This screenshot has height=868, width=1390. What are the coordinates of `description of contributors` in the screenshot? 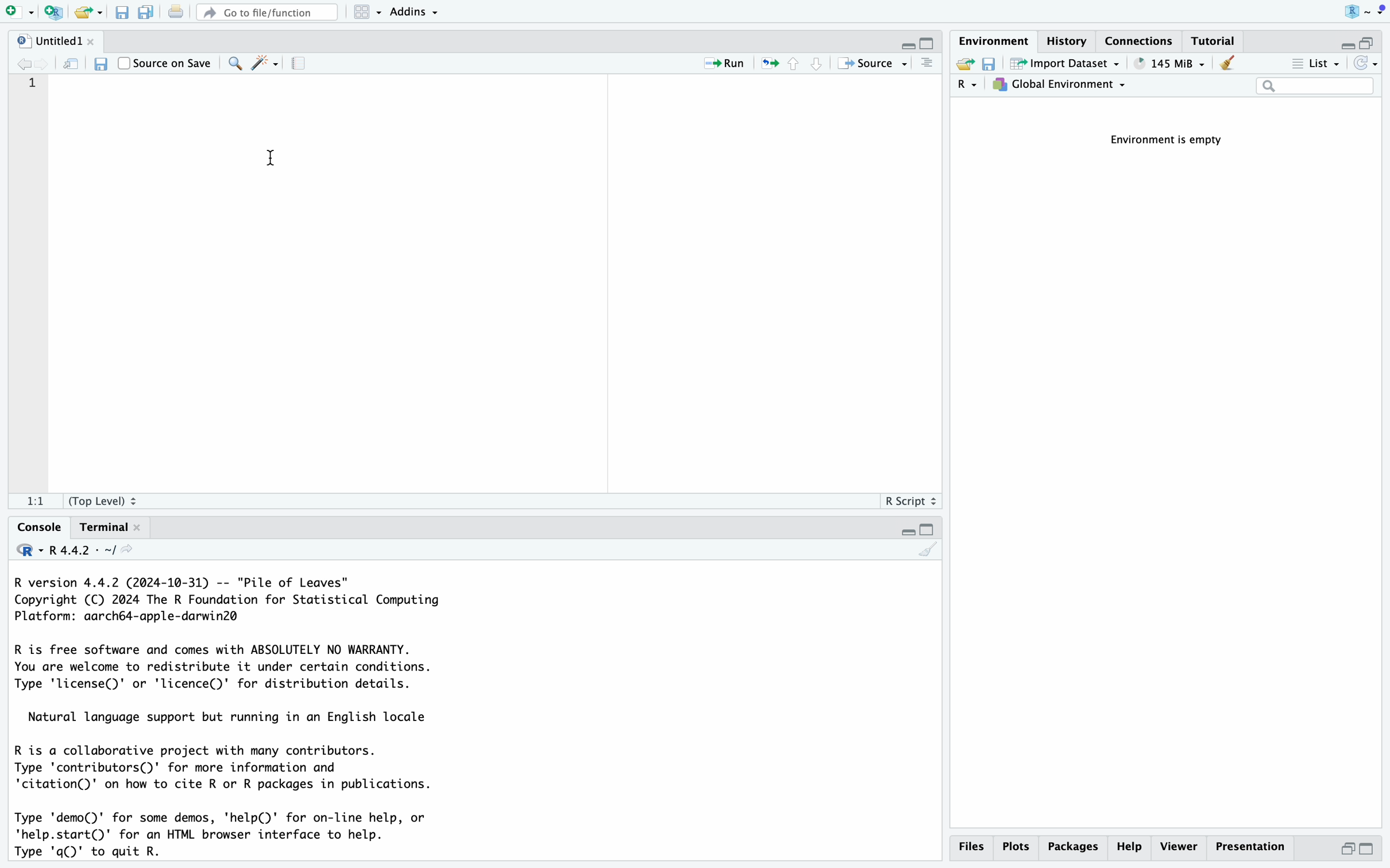 It's located at (225, 768).